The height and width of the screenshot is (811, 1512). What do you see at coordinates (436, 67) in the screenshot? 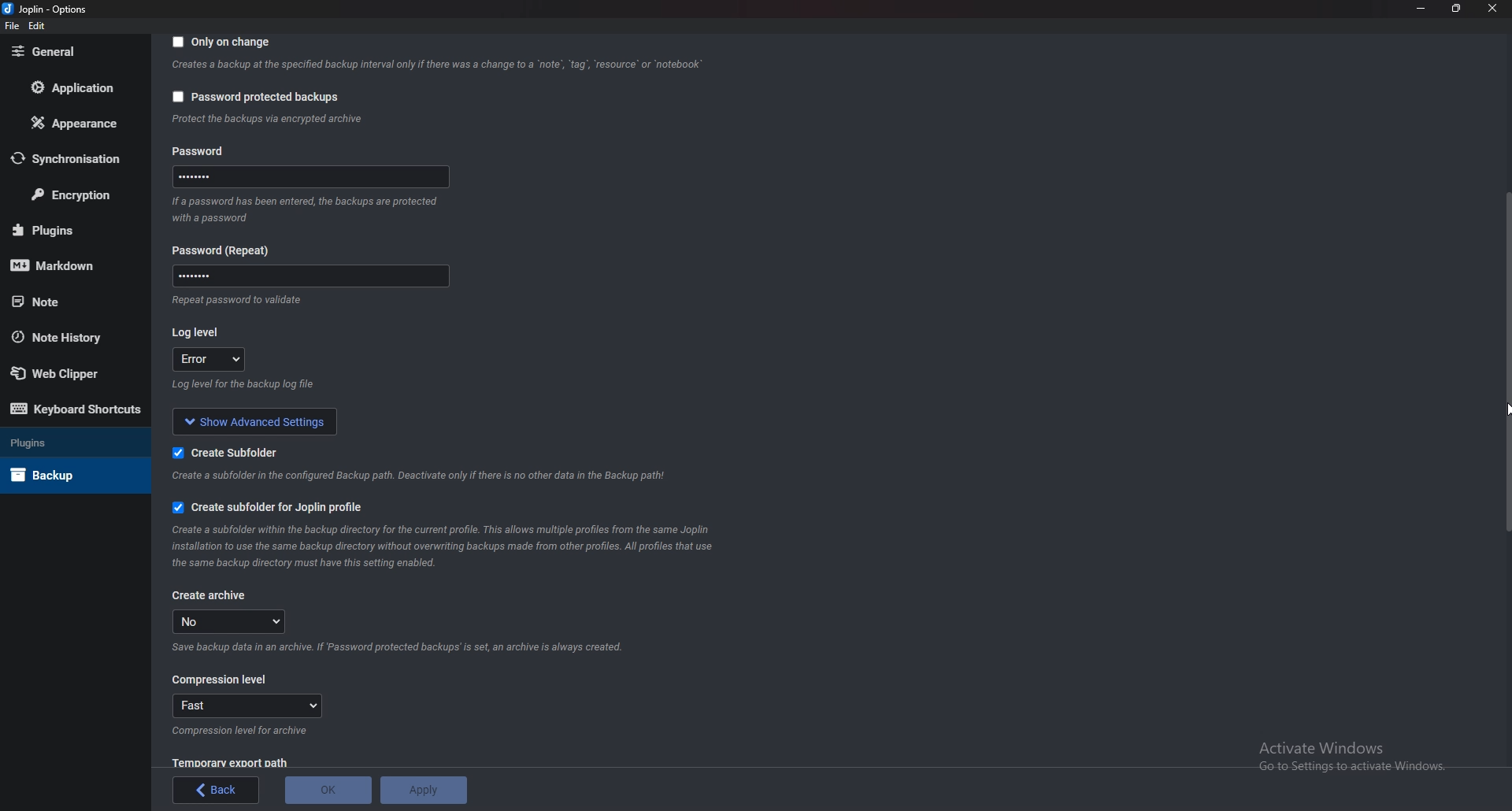
I see `Info` at bounding box center [436, 67].